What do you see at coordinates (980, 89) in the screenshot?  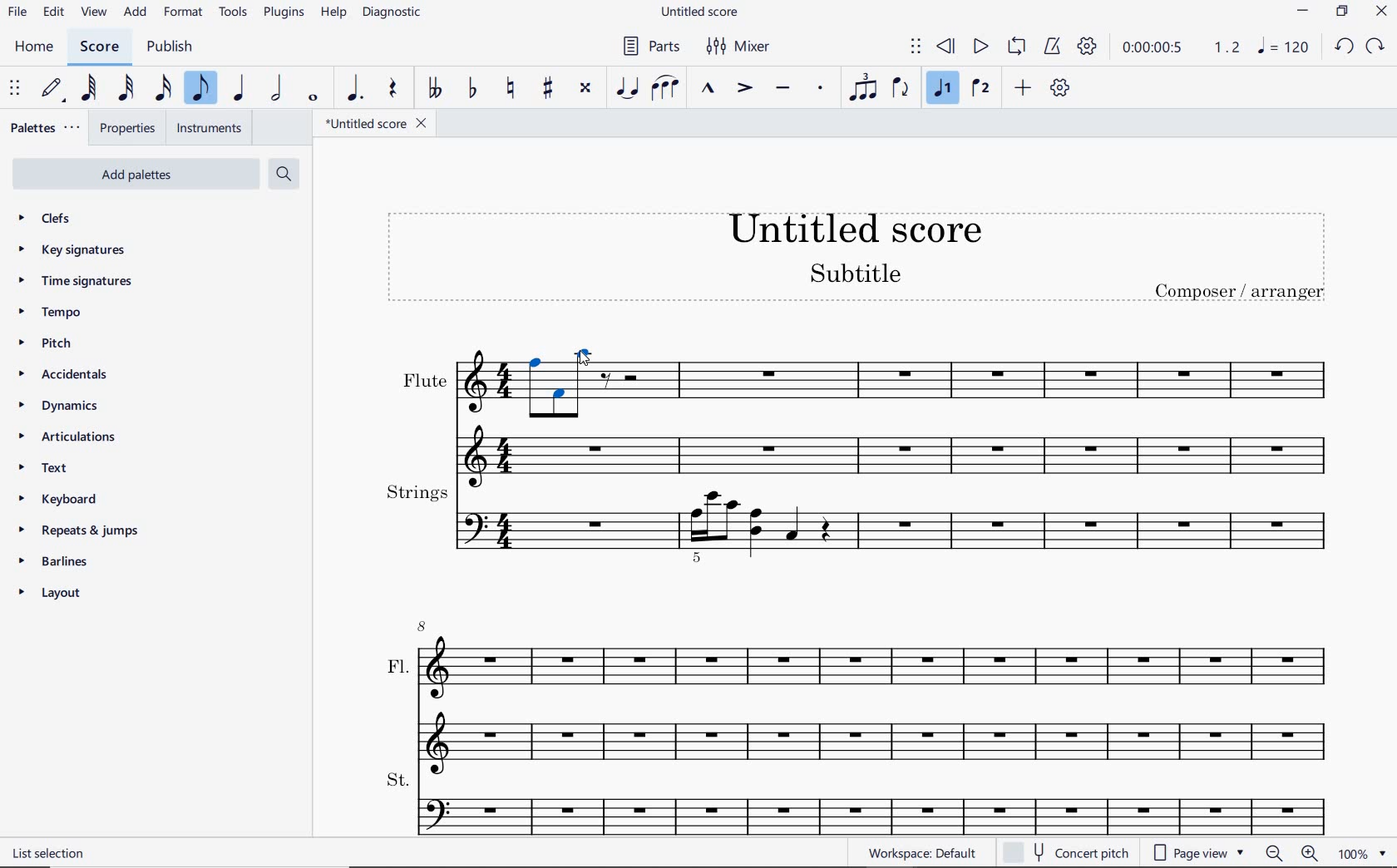 I see `VOICE 2` at bounding box center [980, 89].